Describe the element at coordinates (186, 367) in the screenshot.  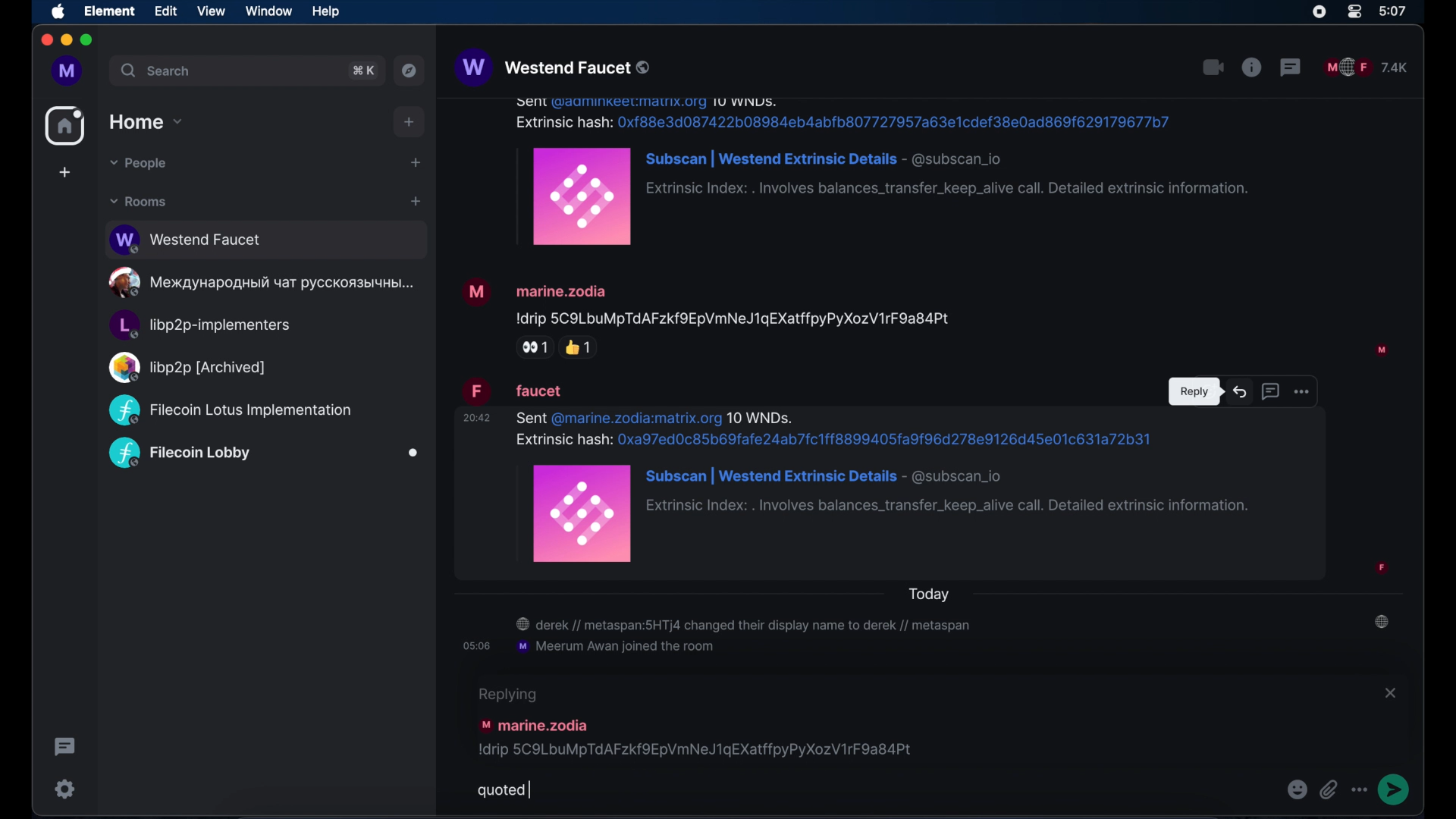
I see `public room` at that location.